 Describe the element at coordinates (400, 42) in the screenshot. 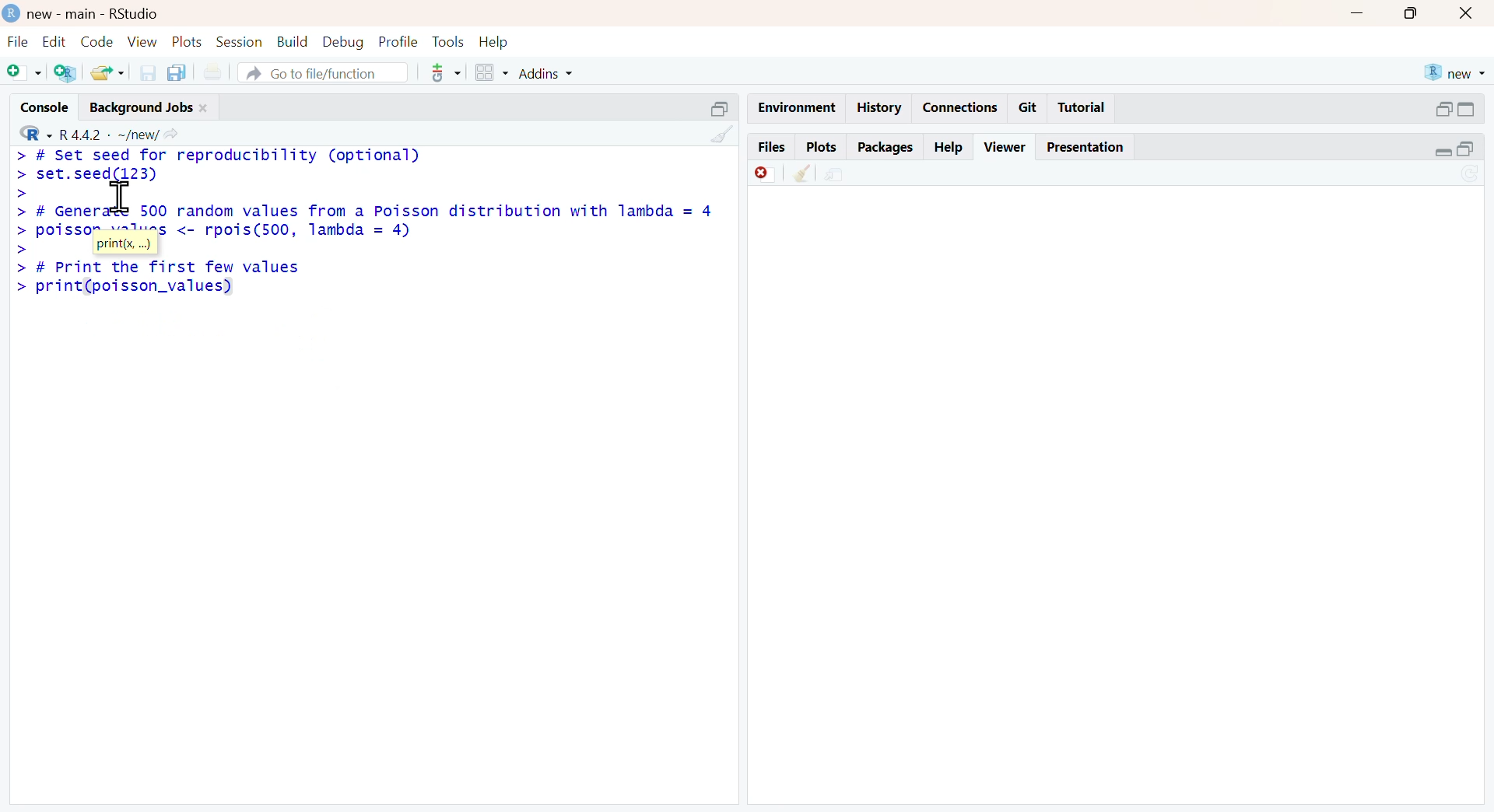

I see `ptofile` at that location.